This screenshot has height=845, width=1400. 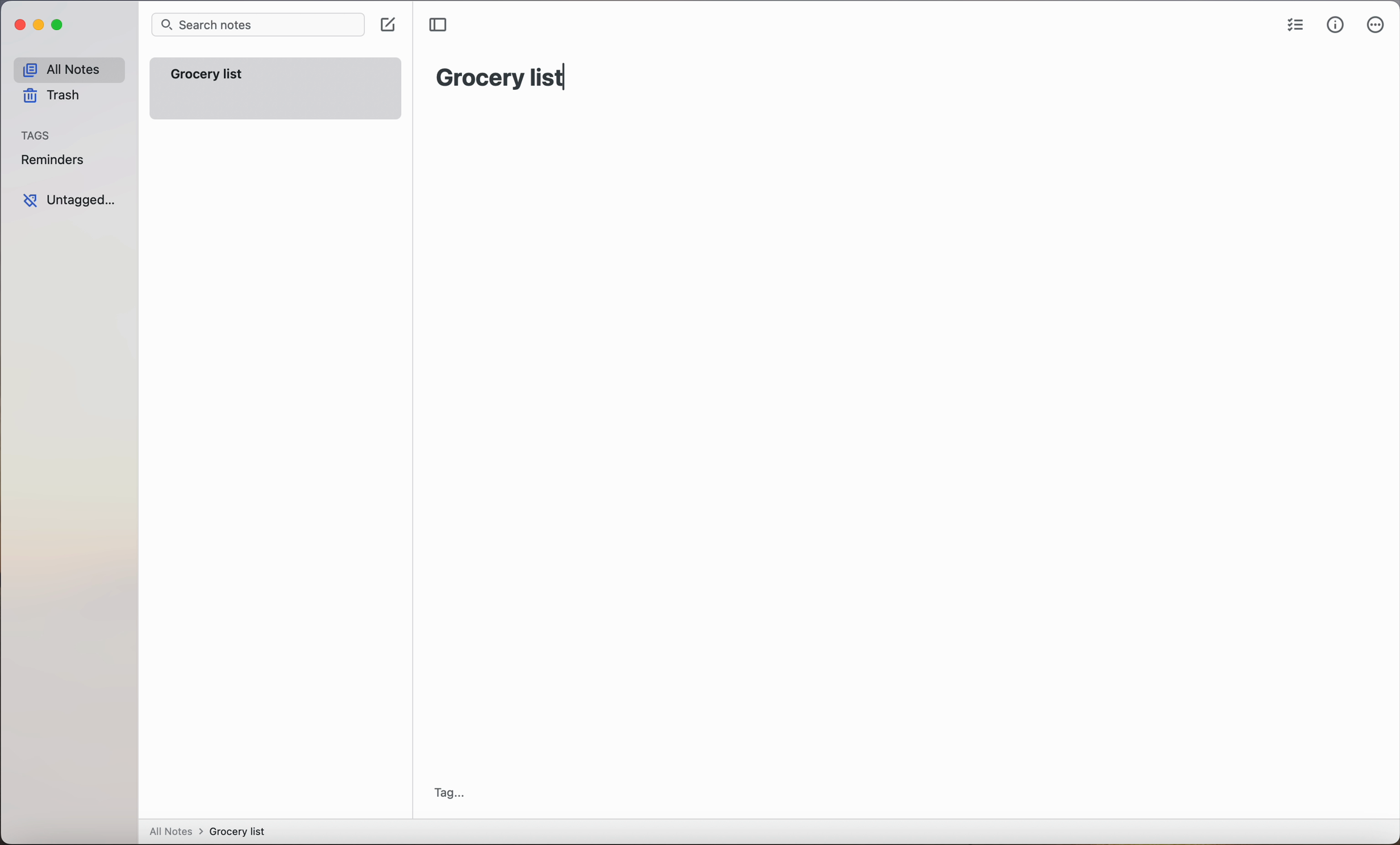 I want to click on metrics, so click(x=1335, y=26).